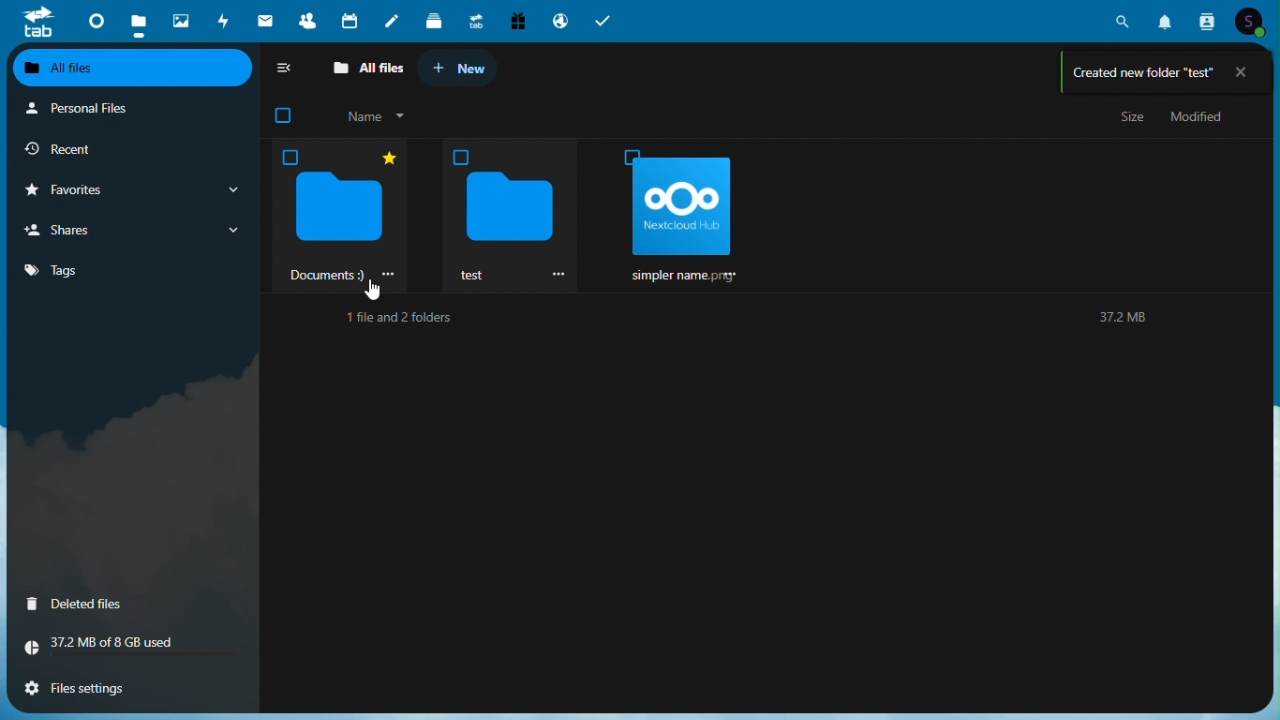 Image resolution: width=1280 pixels, height=720 pixels. I want to click on Recent, so click(125, 152).